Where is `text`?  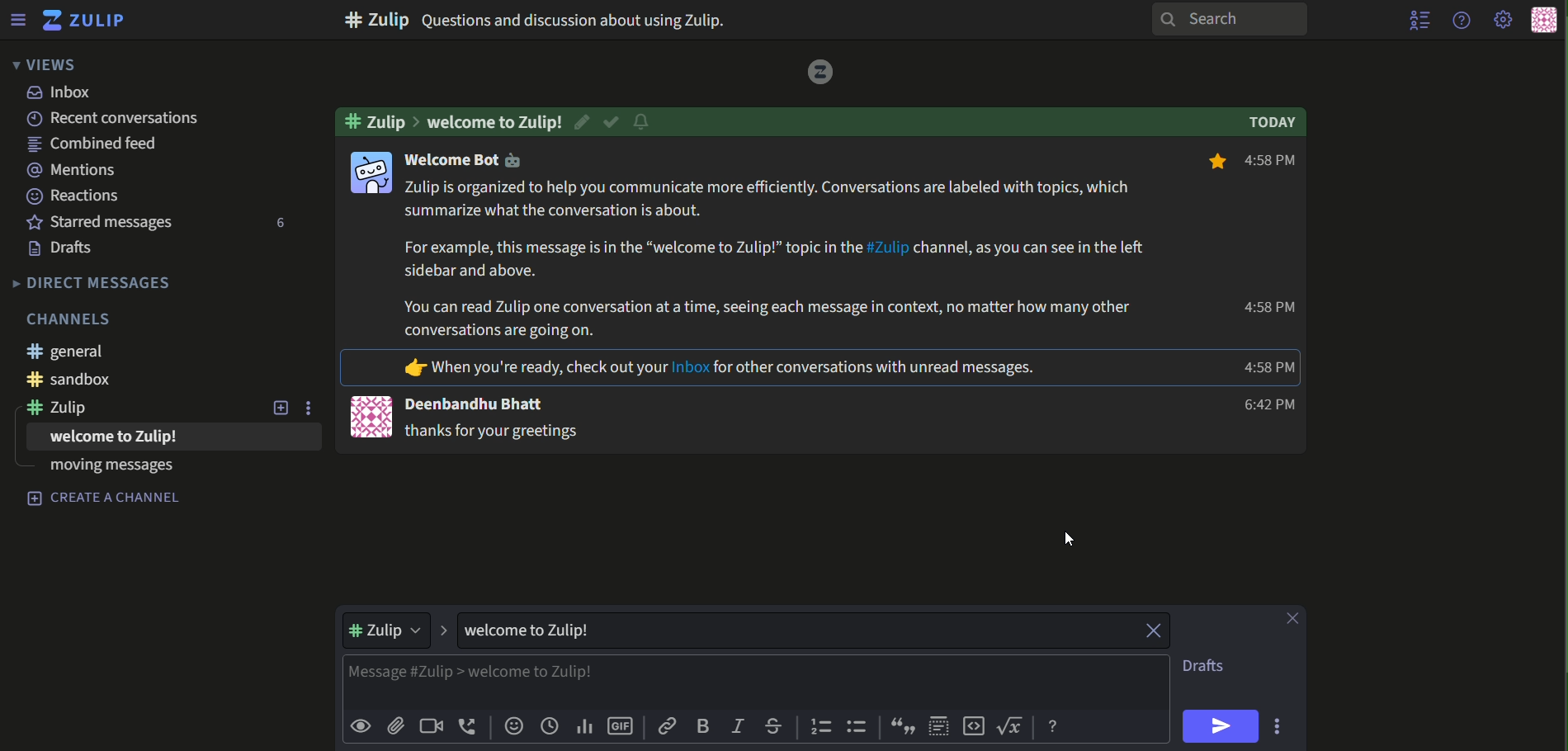
text is located at coordinates (75, 318).